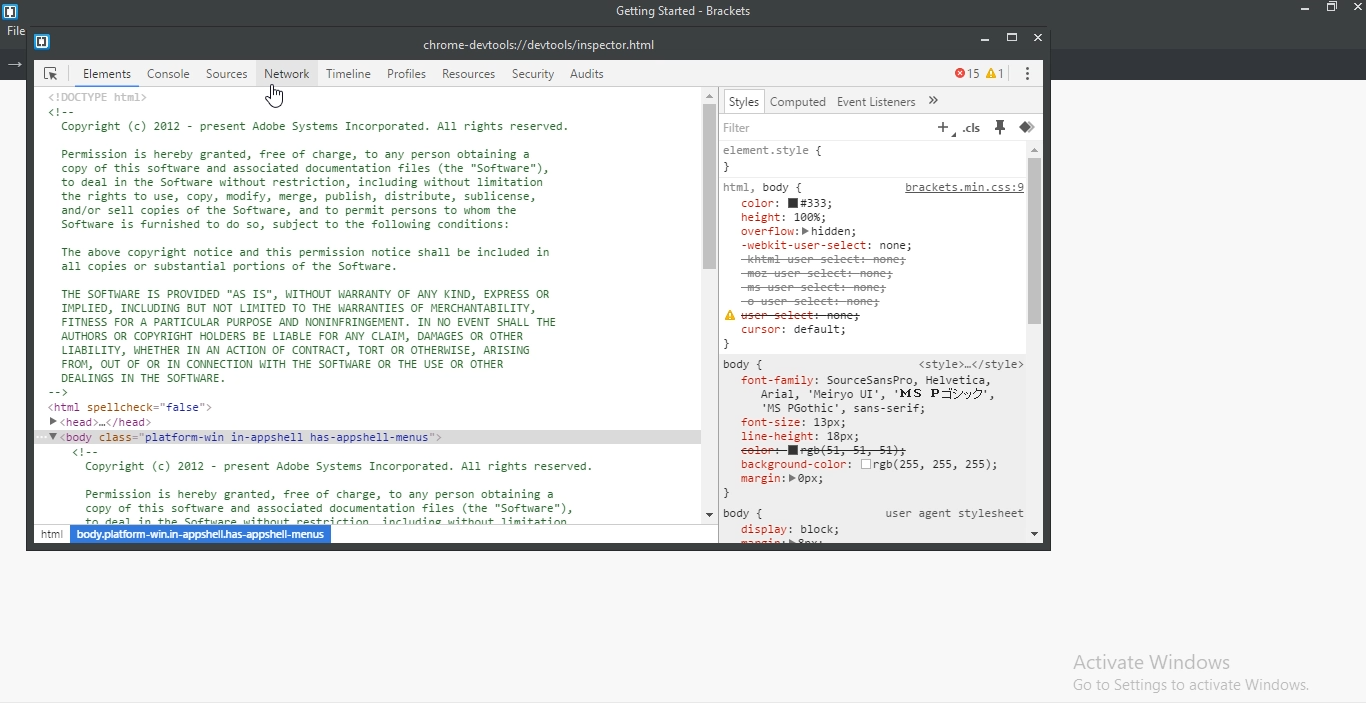  I want to click on getting started - Brackets, so click(693, 13).